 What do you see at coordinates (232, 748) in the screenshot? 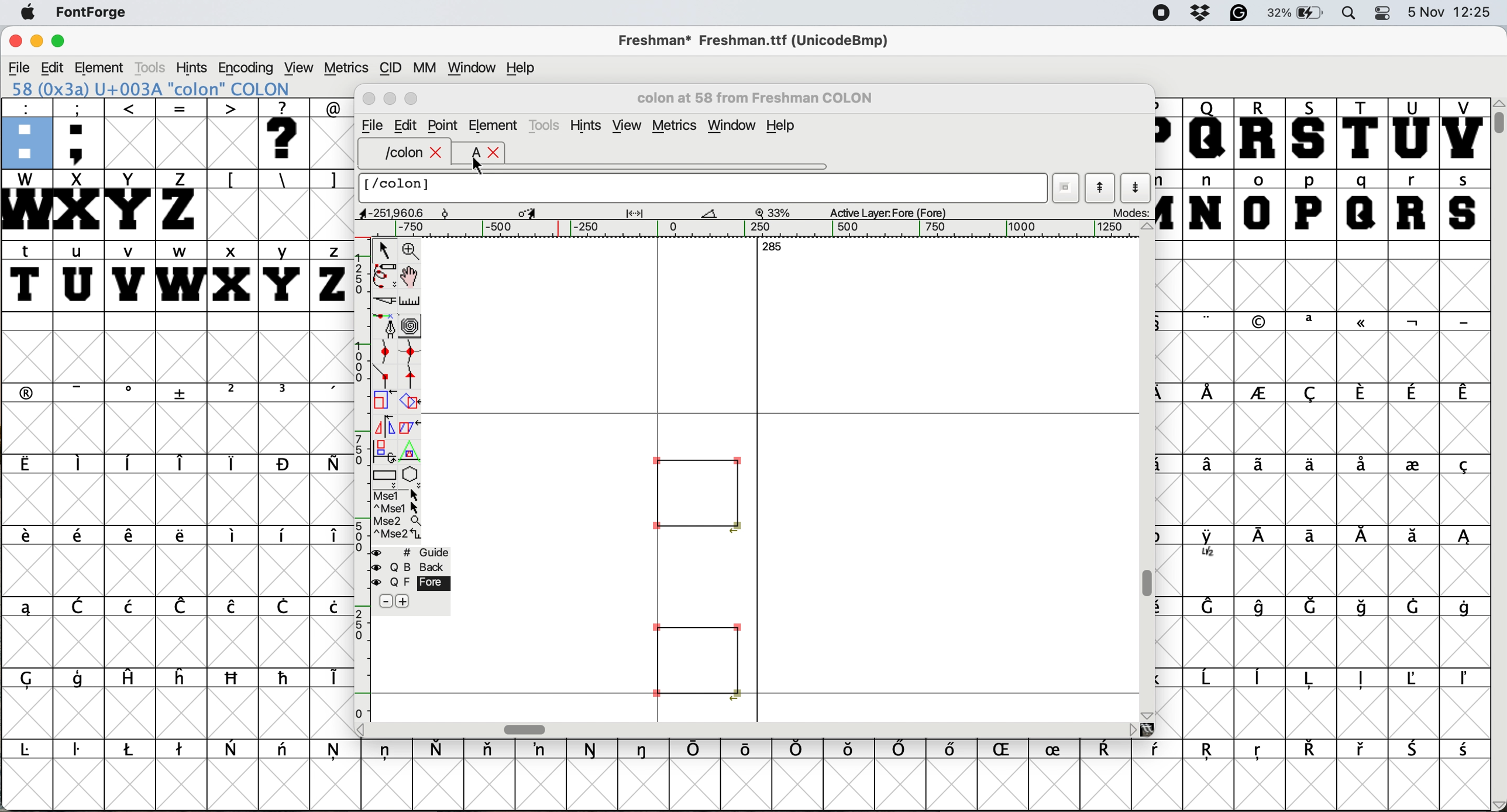
I see `symbol` at bounding box center [232, 748].